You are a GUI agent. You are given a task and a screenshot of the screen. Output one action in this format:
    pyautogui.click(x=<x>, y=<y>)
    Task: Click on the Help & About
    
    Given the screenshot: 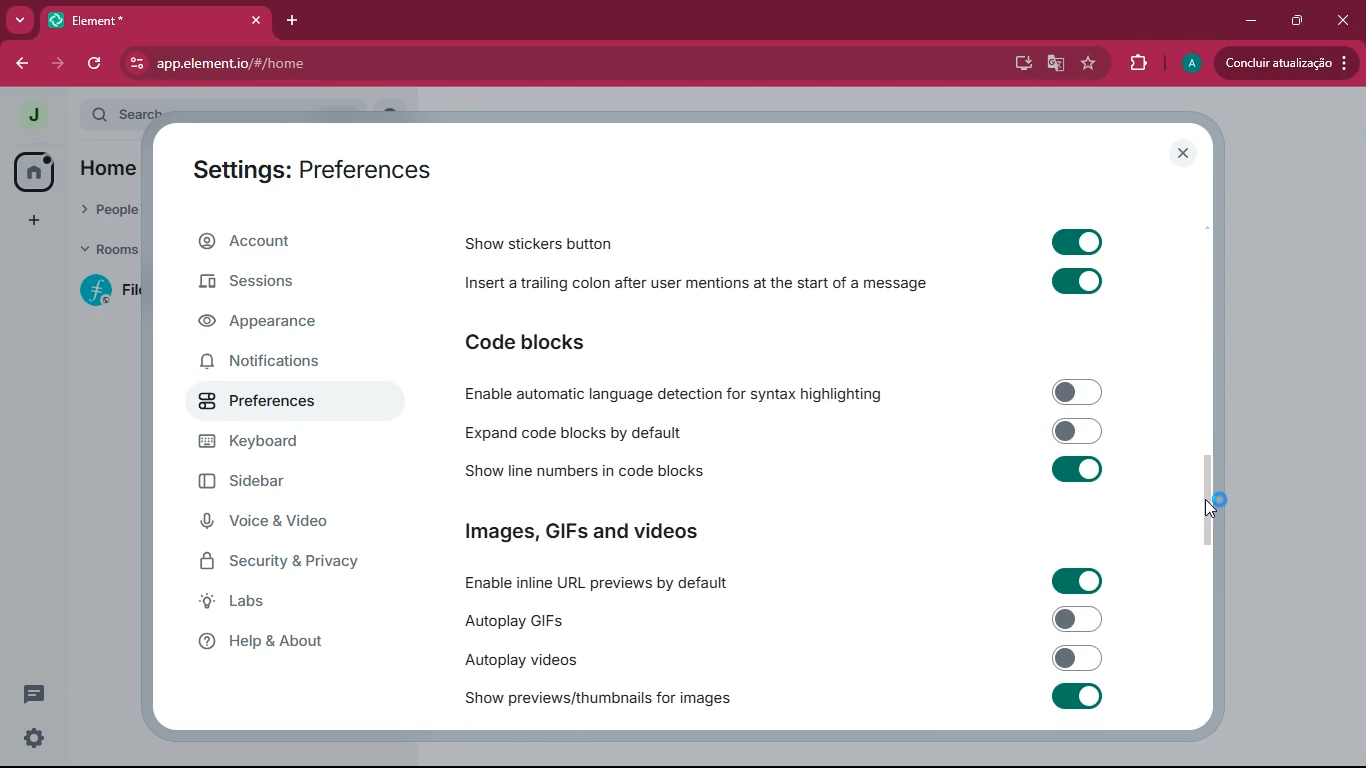 What is the action you would take?
    pyautogui.click(x=288, y=640)
    